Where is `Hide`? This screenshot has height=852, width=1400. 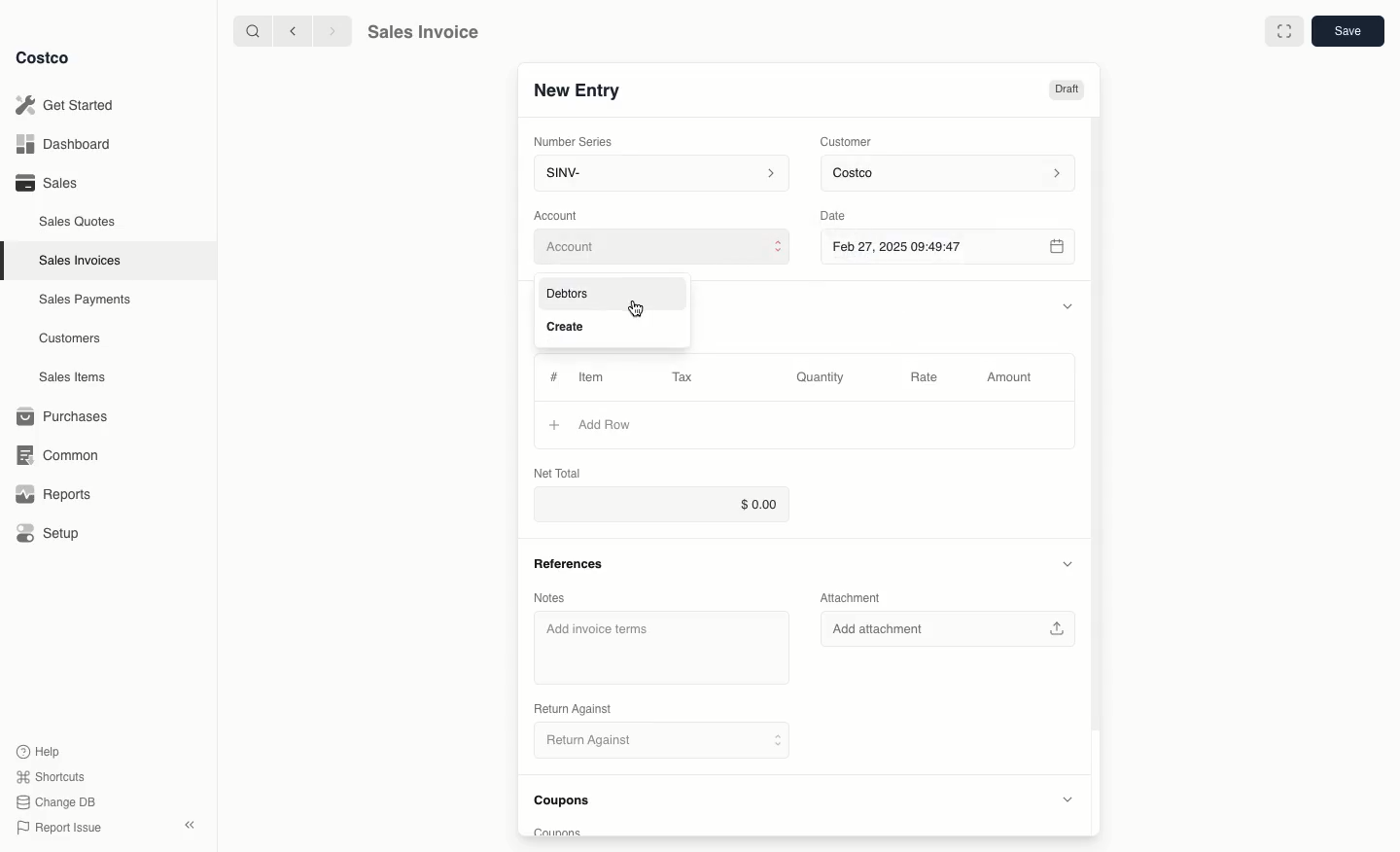
Hide is located at coordinates (1066, 564).